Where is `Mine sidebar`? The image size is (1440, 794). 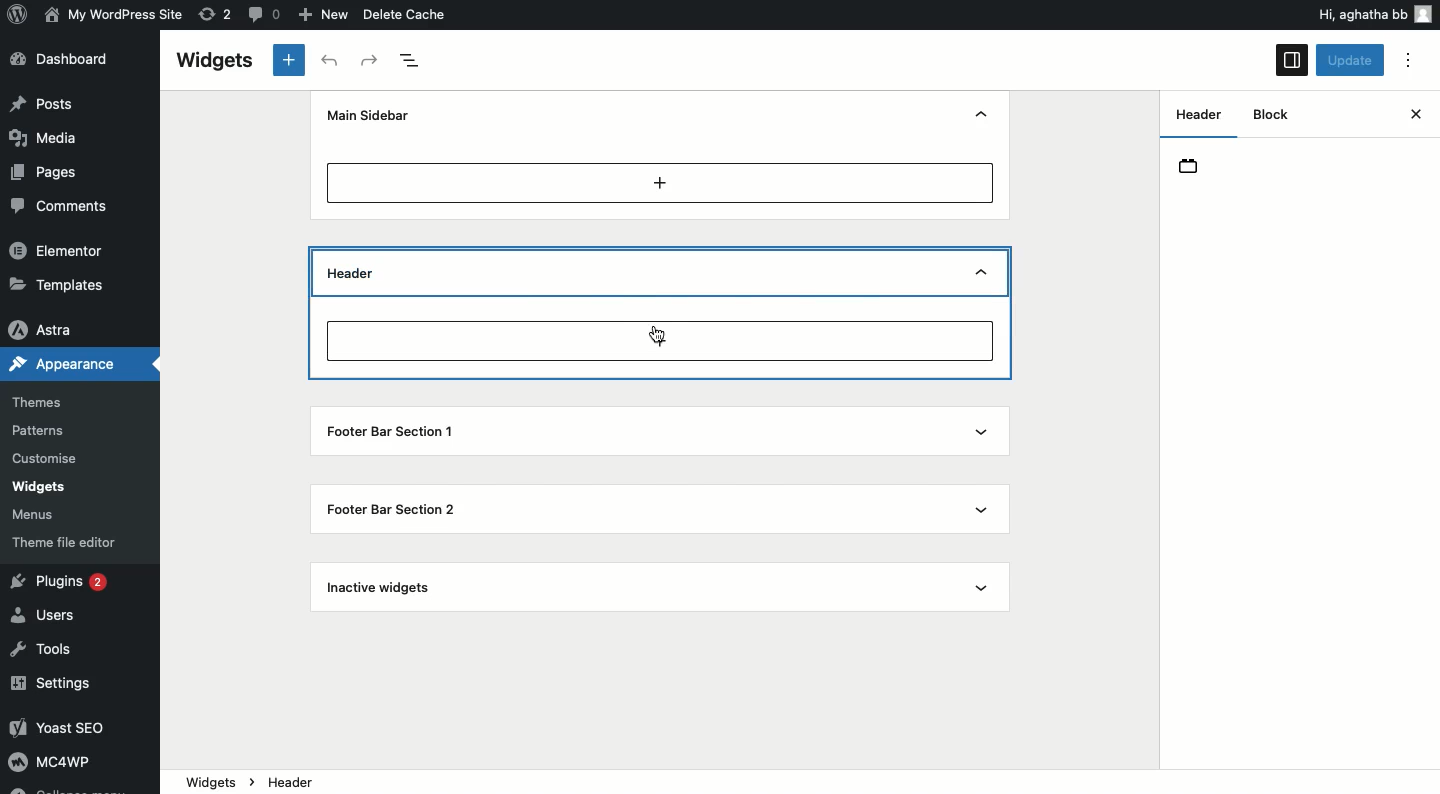 Mine sidebar is located at coordinates (365, 115).